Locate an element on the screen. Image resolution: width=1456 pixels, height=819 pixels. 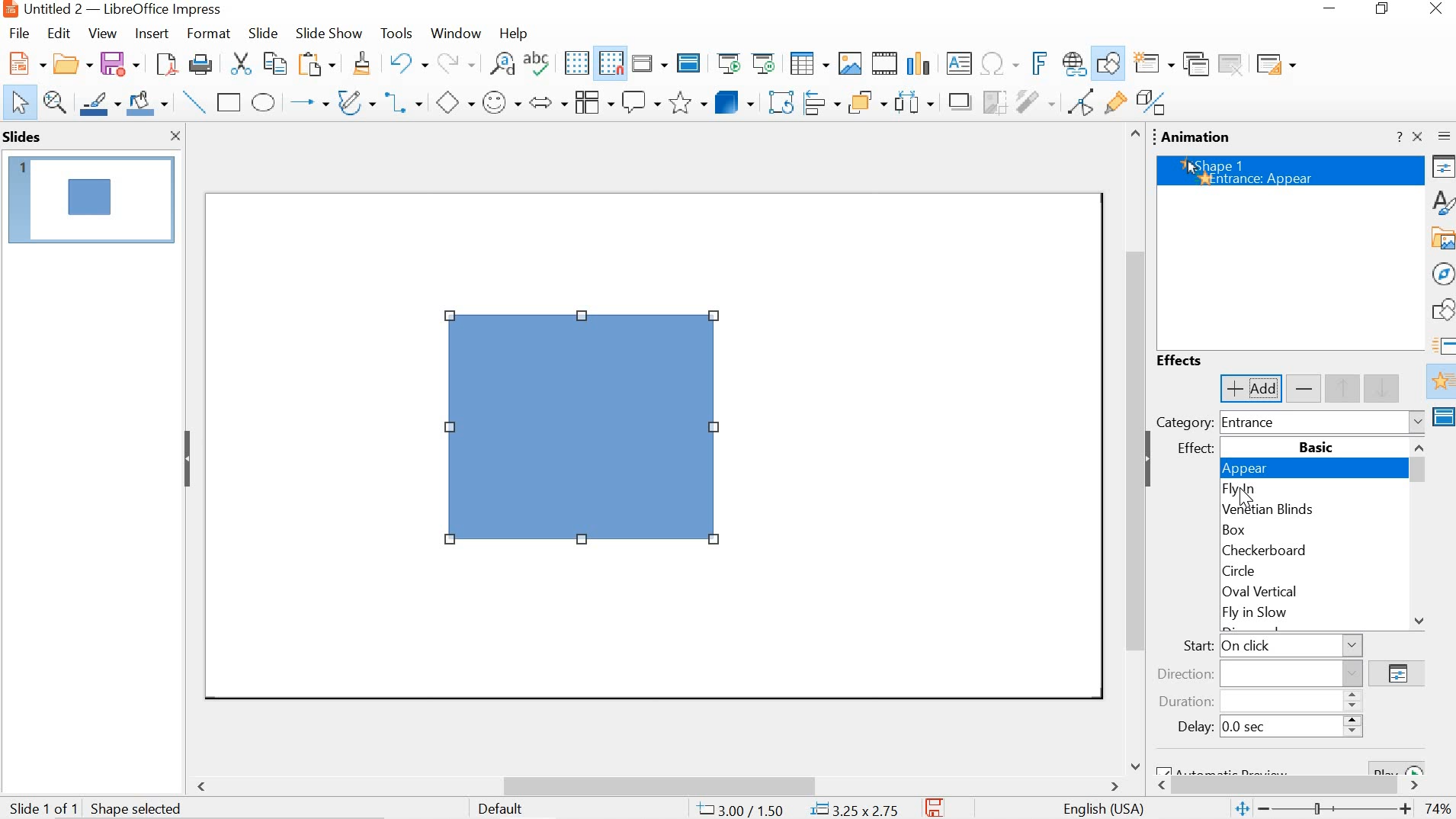
3.00/1.50 is located at coordinates (742, 808).